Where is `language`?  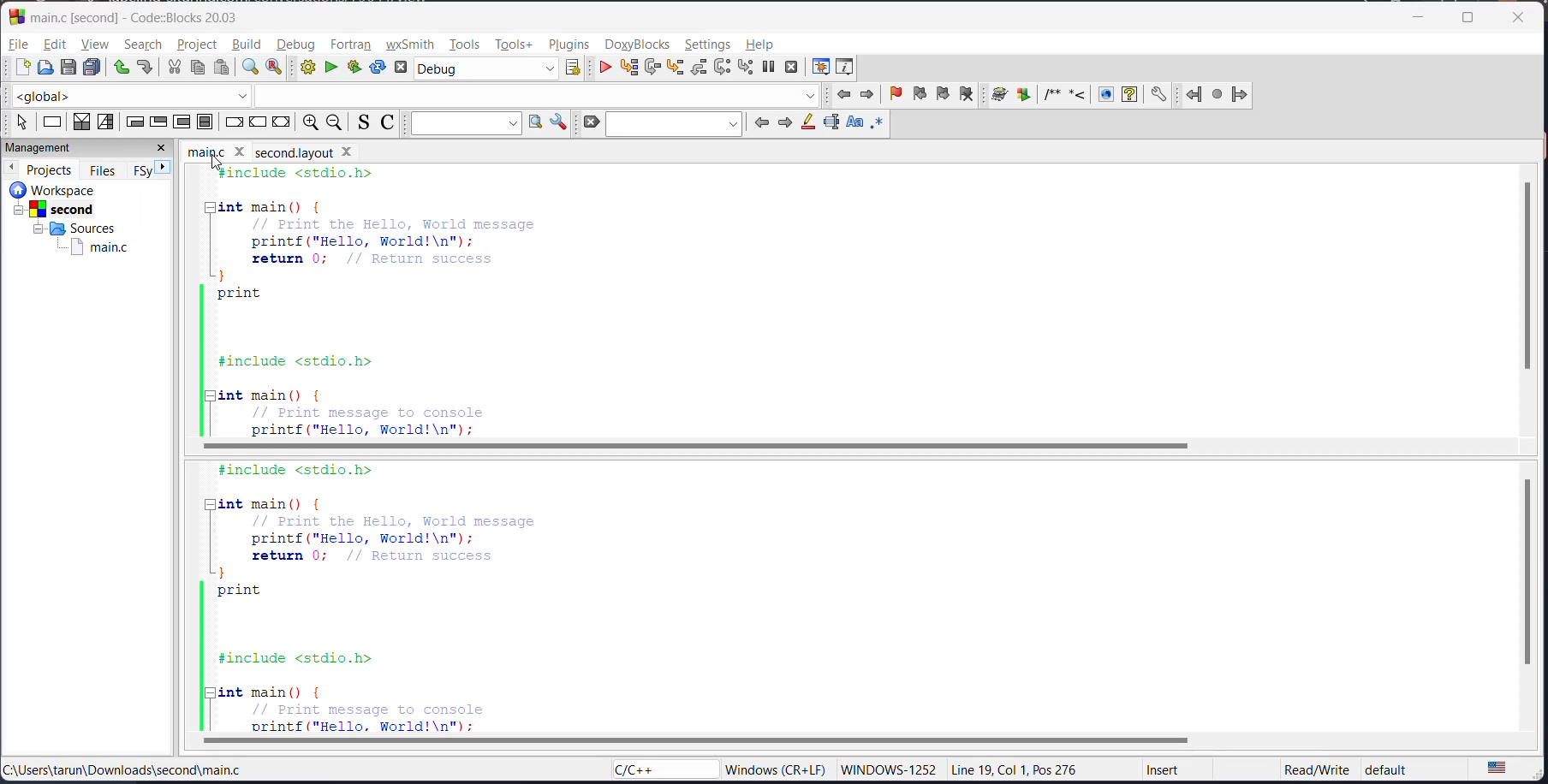 language is located at coordinates (660, 769).